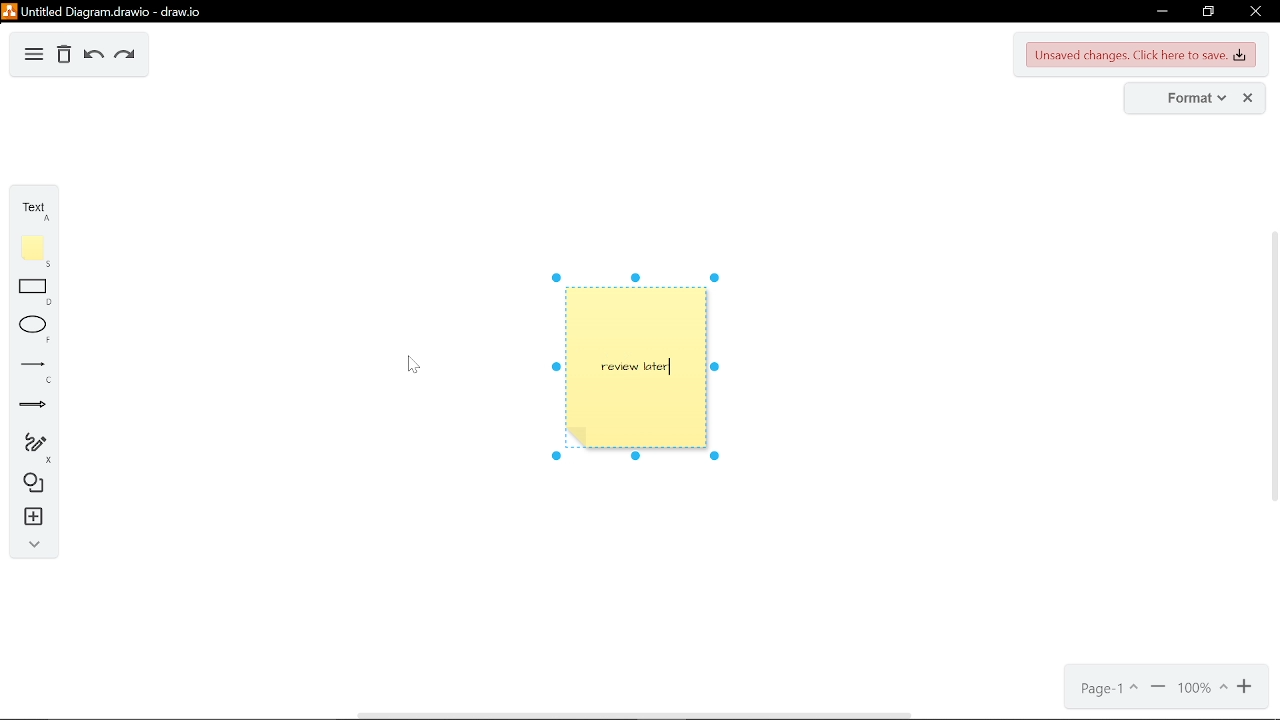 The width and height of the screenshot is (1280, 720). What do you see at coordinates (642, 365) in the screenshot?
I see `"review later" text added to the floating note` at bounding box center [642, 365].